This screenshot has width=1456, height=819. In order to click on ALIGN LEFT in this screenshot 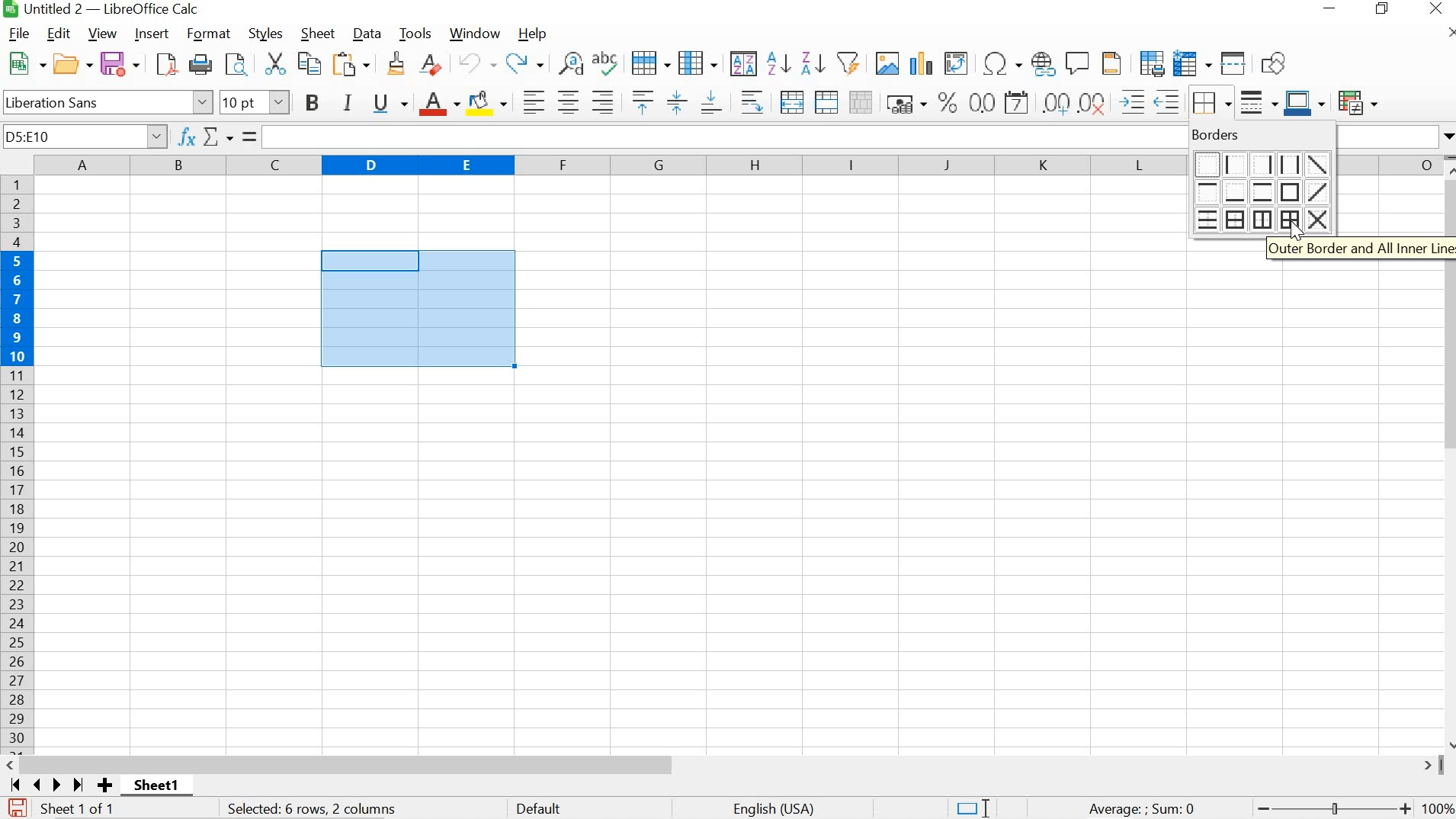, I will do `click(535, 101)`.